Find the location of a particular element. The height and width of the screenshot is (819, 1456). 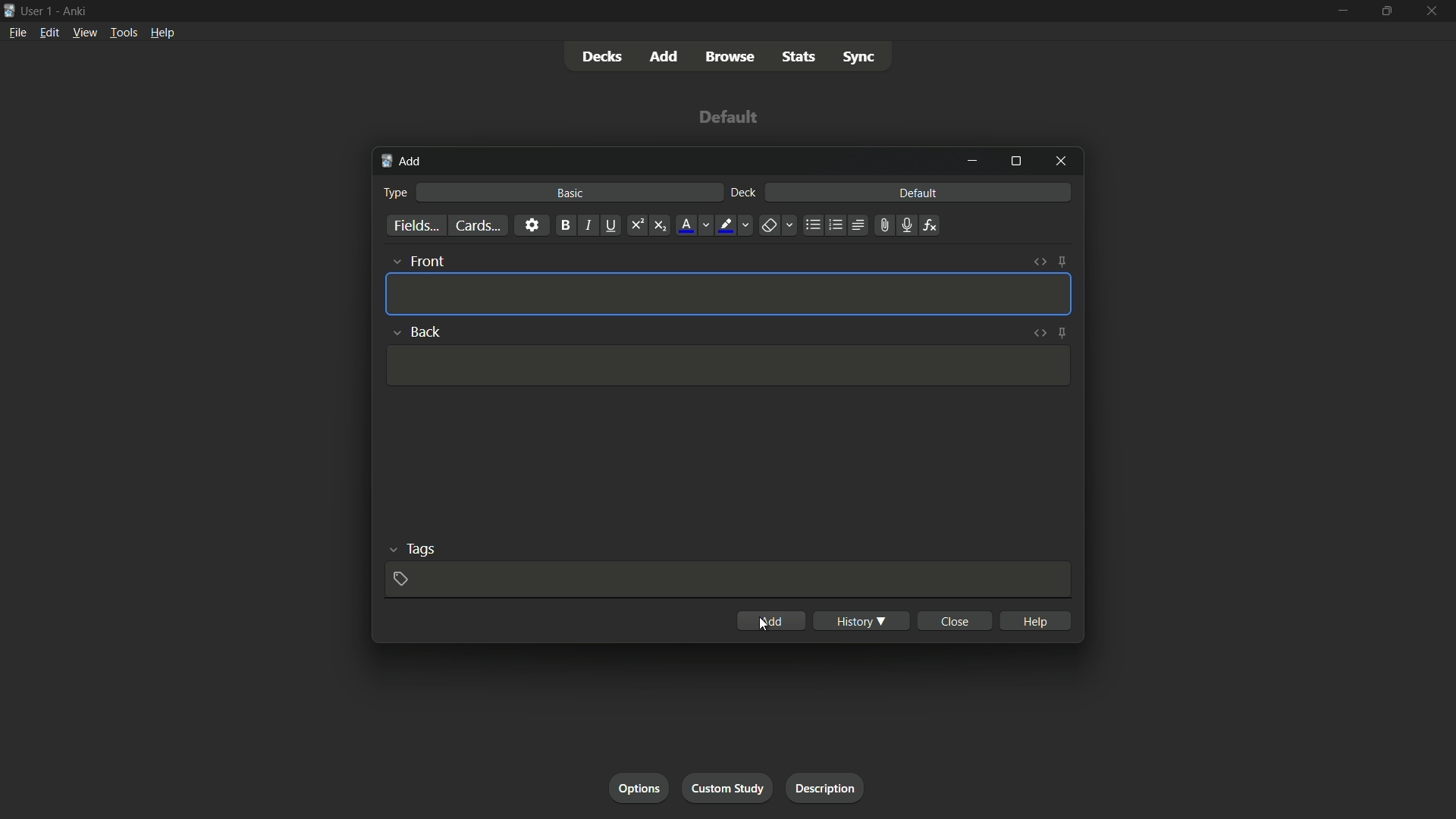

edit is located at coordinates (49, 33).